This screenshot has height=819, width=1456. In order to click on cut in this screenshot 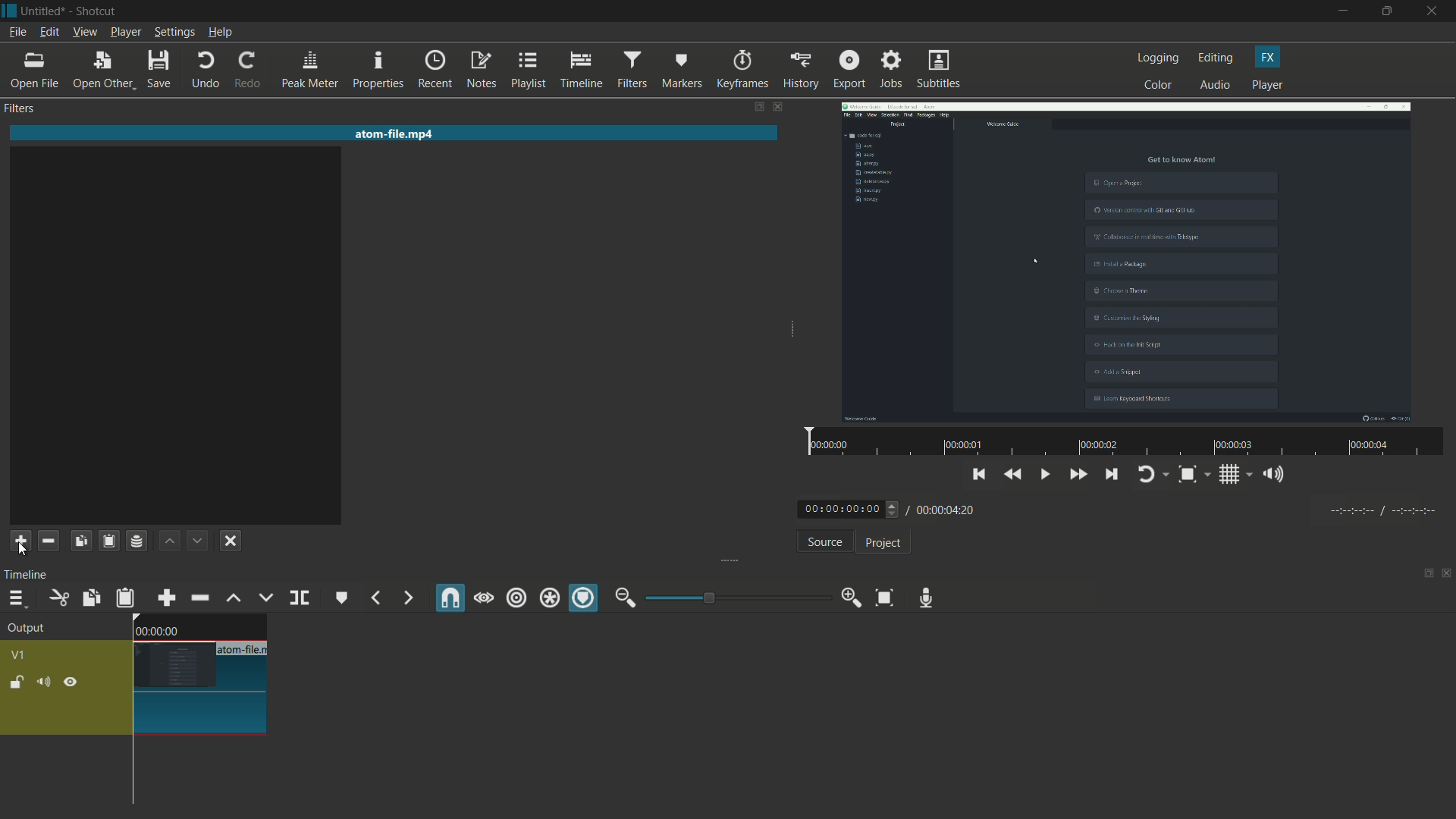, I will do `click(58, 598)`.